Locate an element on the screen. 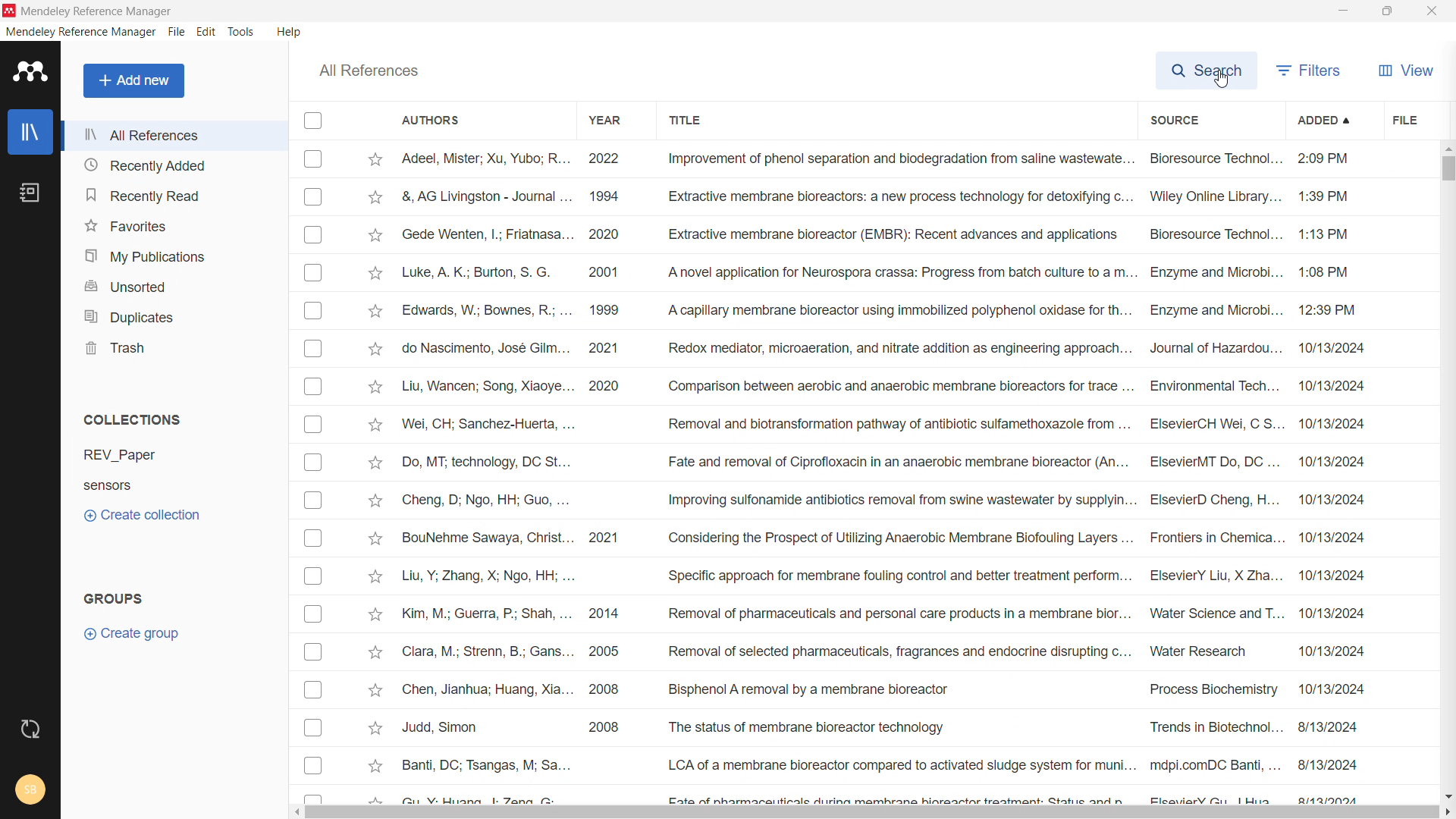 The height and width of the screenshot is (819, 1456). Add to favorites is located at coordinates (376, 538).